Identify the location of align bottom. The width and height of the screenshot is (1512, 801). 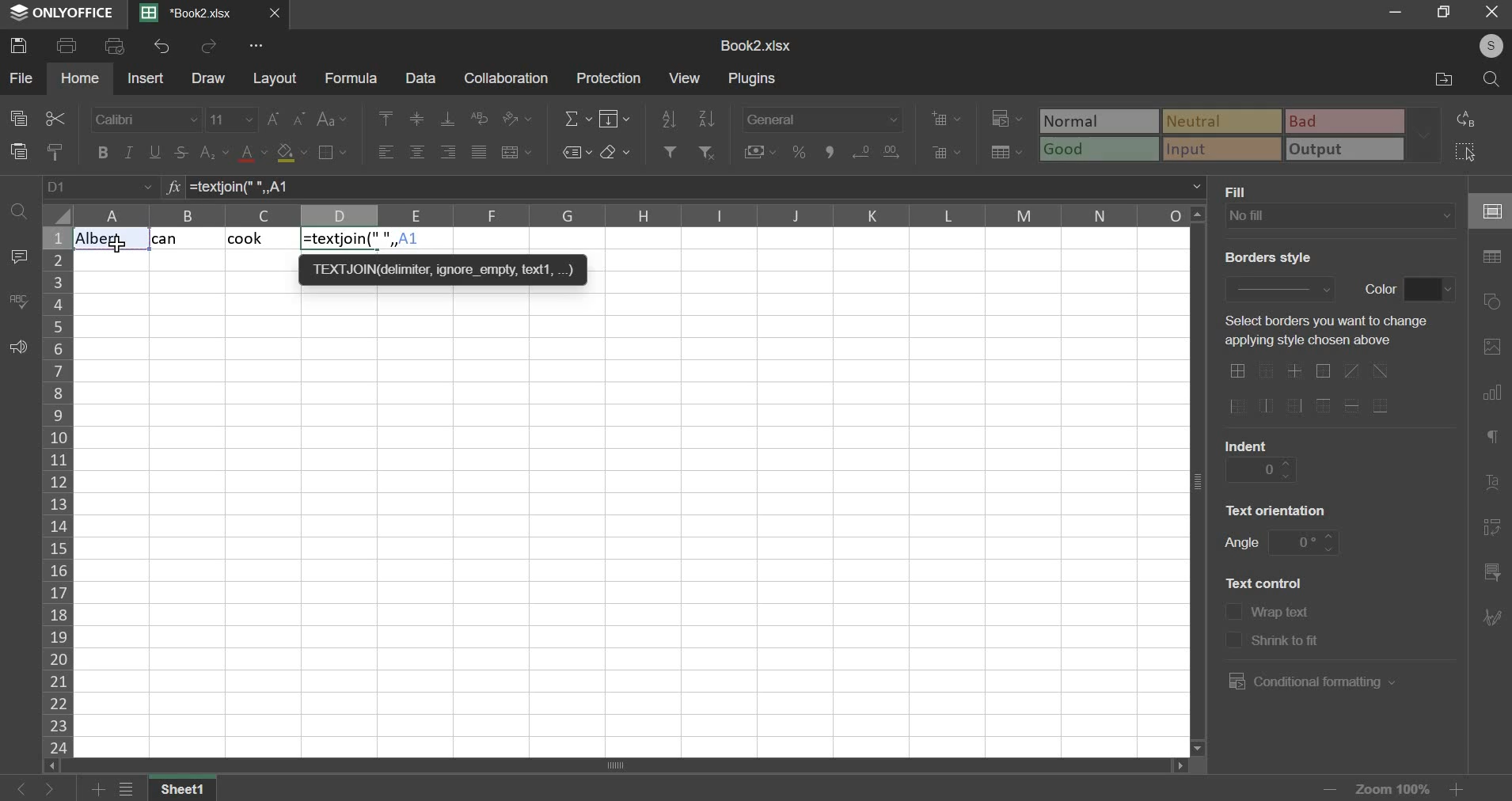
(448, 119).